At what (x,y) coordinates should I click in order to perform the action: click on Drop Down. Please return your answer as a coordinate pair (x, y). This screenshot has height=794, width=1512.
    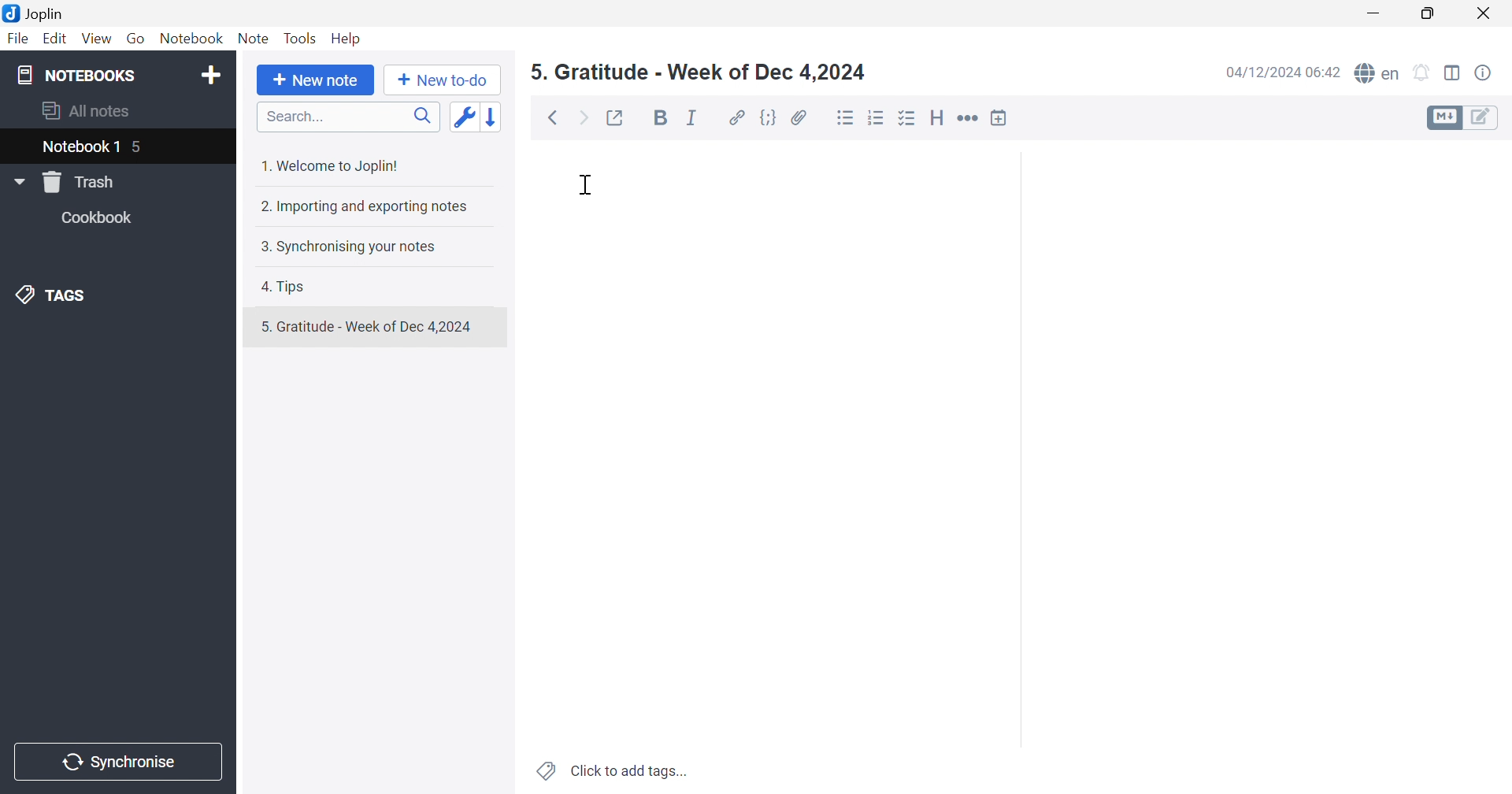
    Looking at the image, I should click on (18, 181).